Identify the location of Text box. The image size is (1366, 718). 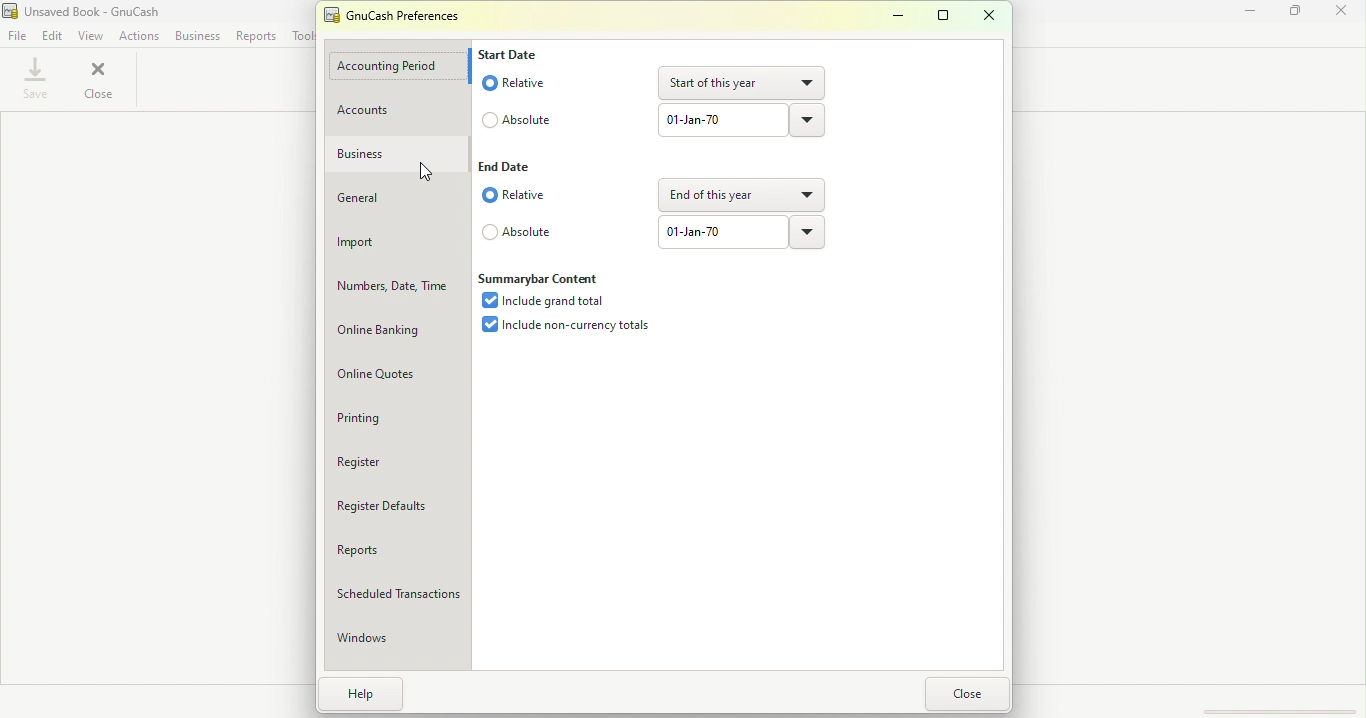
(721, 232).